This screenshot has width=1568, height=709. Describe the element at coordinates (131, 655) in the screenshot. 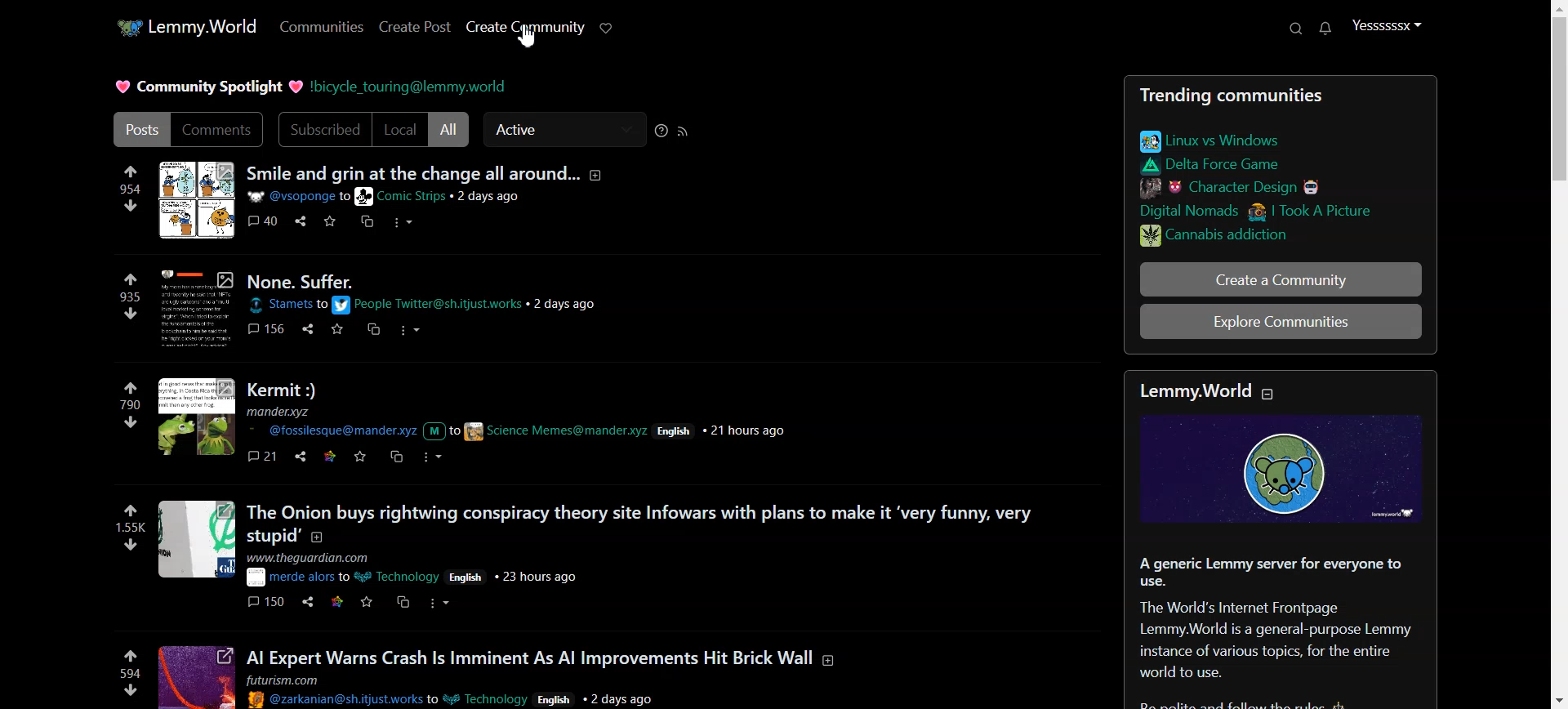

I see `upvote` at that location.